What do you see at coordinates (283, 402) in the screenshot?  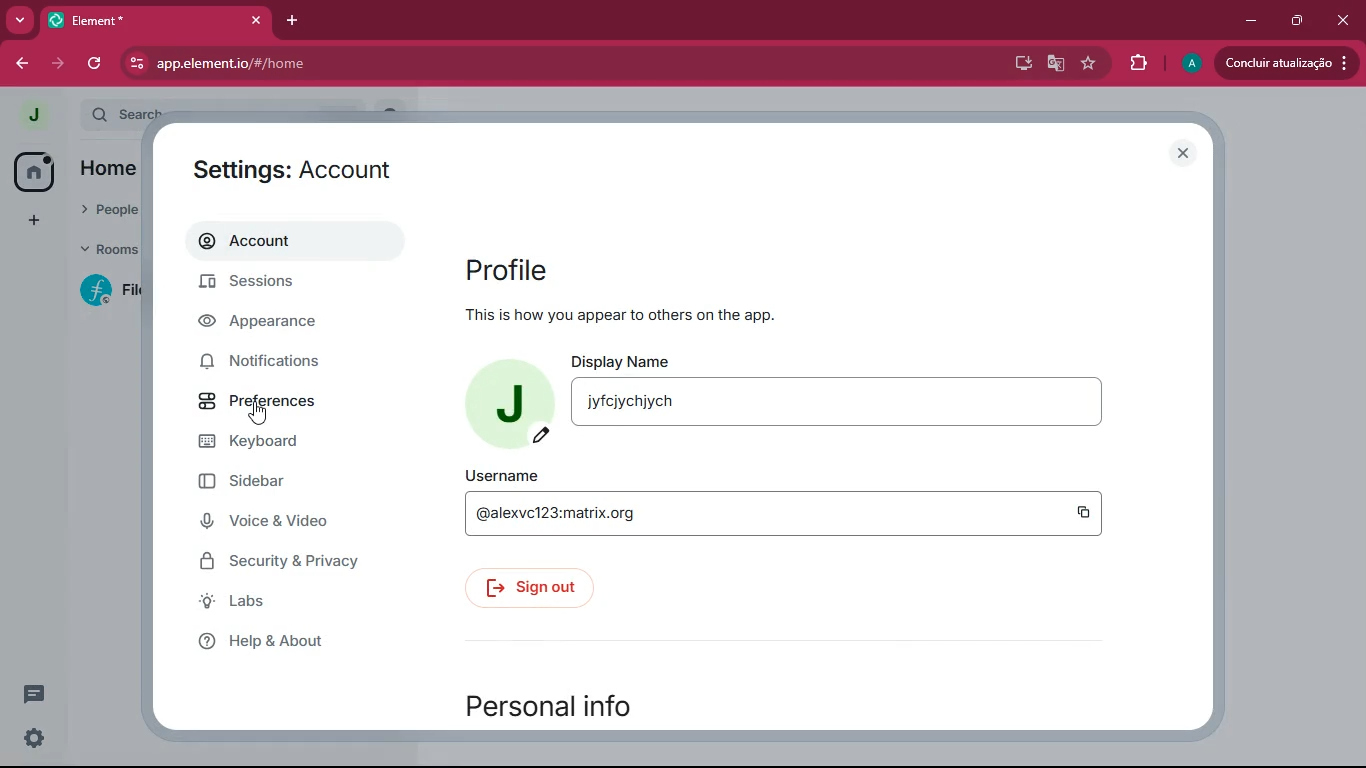 I see `preferences` at bounding box center [283, 402].